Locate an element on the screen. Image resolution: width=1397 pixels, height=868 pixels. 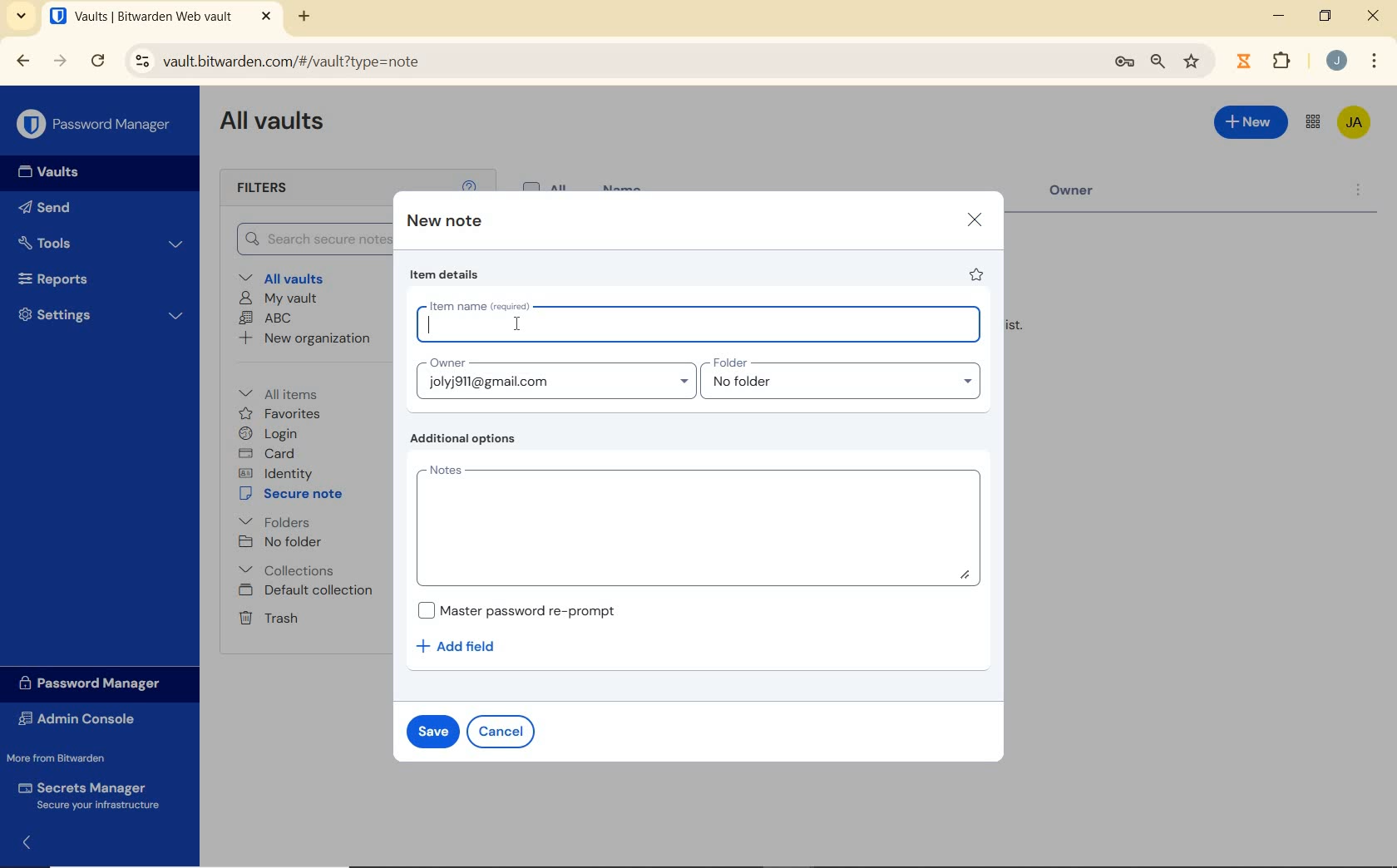
Filters is located at coordinates (281, 189).